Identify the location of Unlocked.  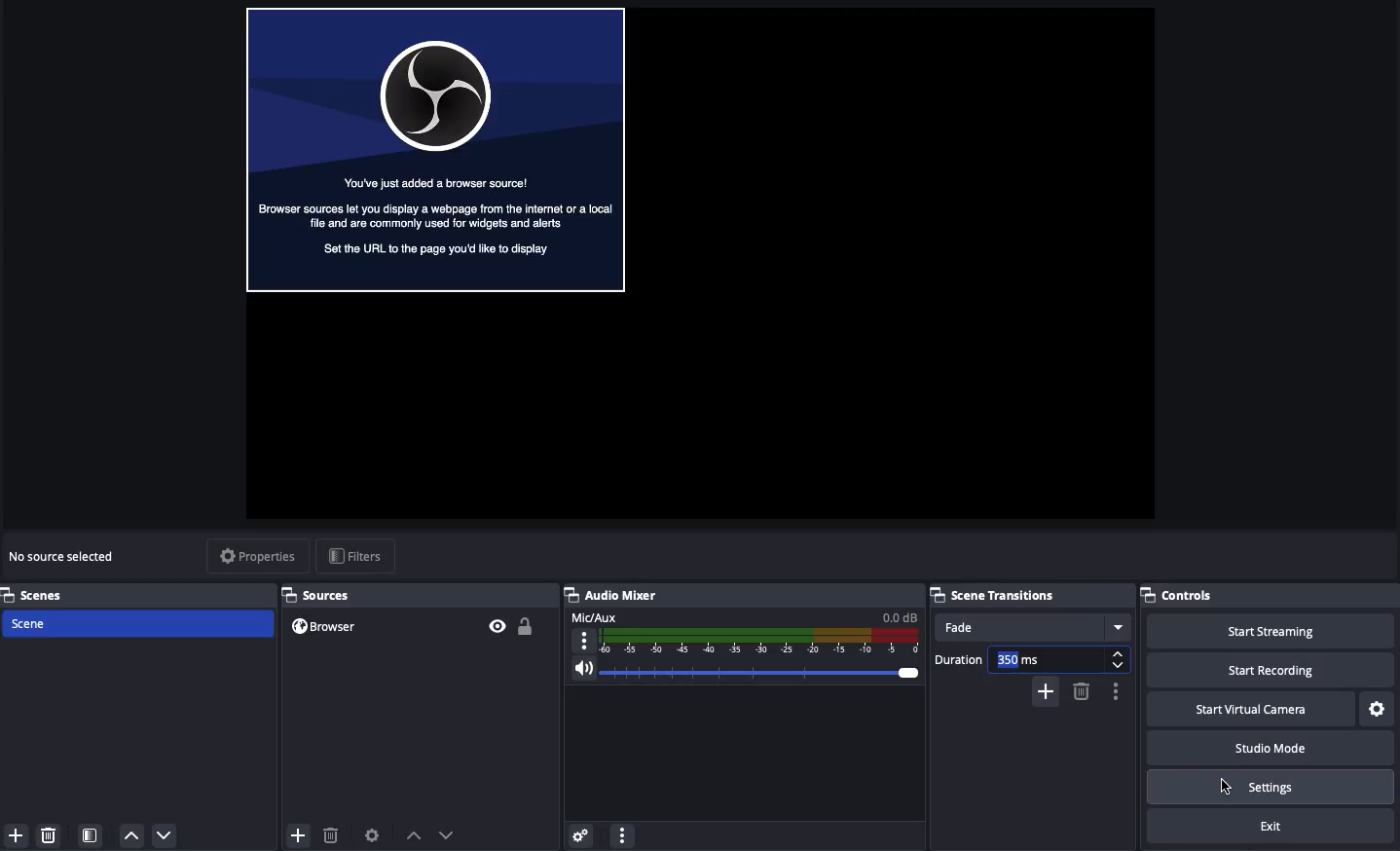
(528, 625).